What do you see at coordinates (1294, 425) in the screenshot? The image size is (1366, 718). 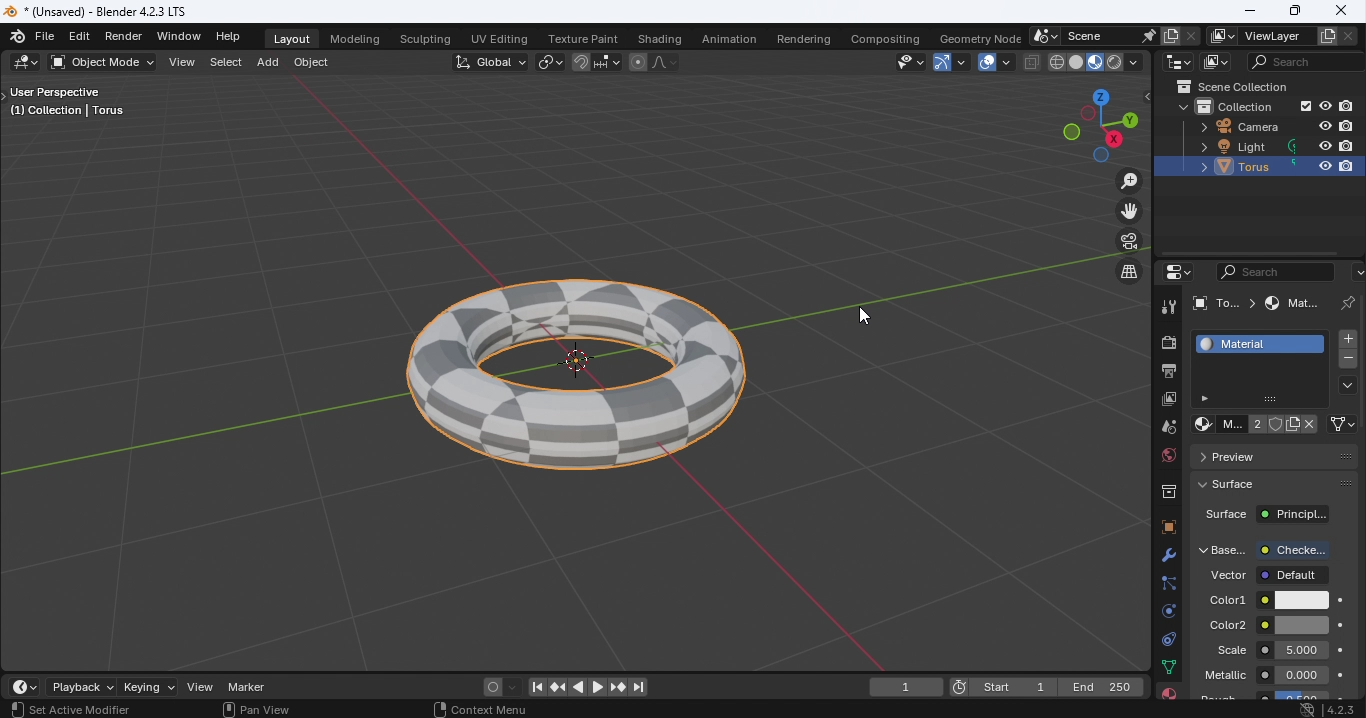 I see `New Material` at bounding box center [1294, 425].